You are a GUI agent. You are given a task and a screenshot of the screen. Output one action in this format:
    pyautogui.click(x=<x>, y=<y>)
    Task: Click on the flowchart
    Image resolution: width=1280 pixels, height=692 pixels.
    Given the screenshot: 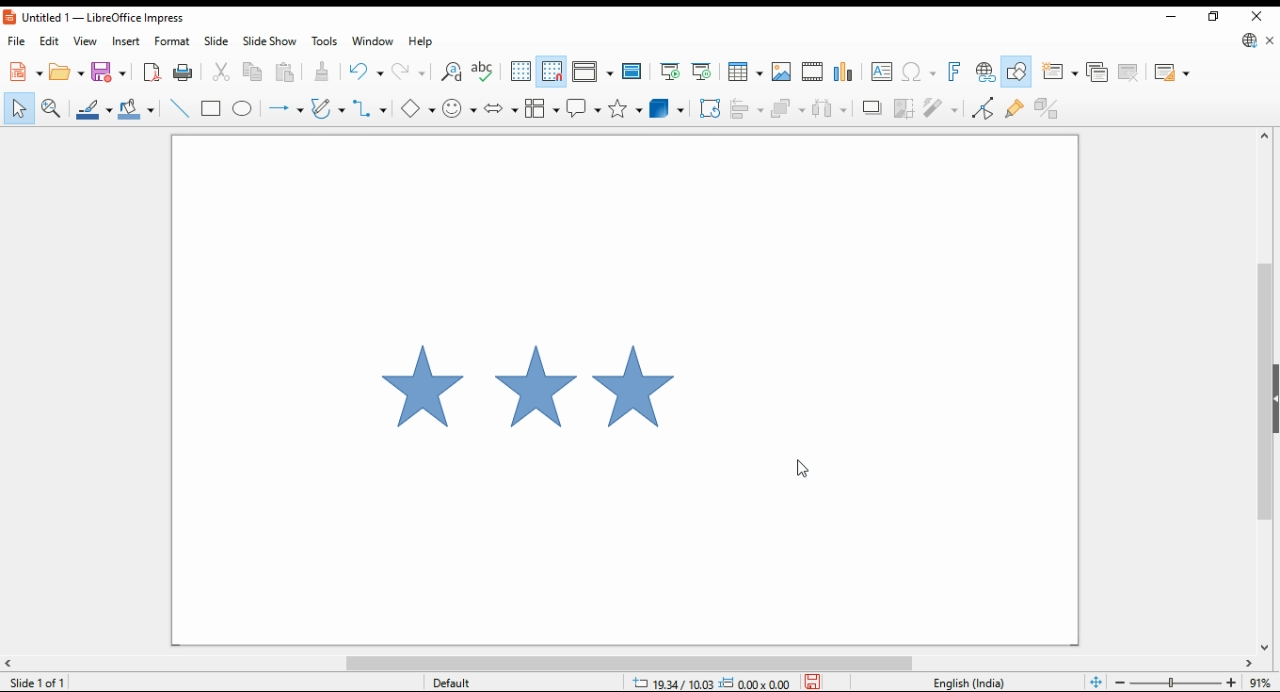 What is the action you would take?
    pyautogui.click(x=541, y=108)
    